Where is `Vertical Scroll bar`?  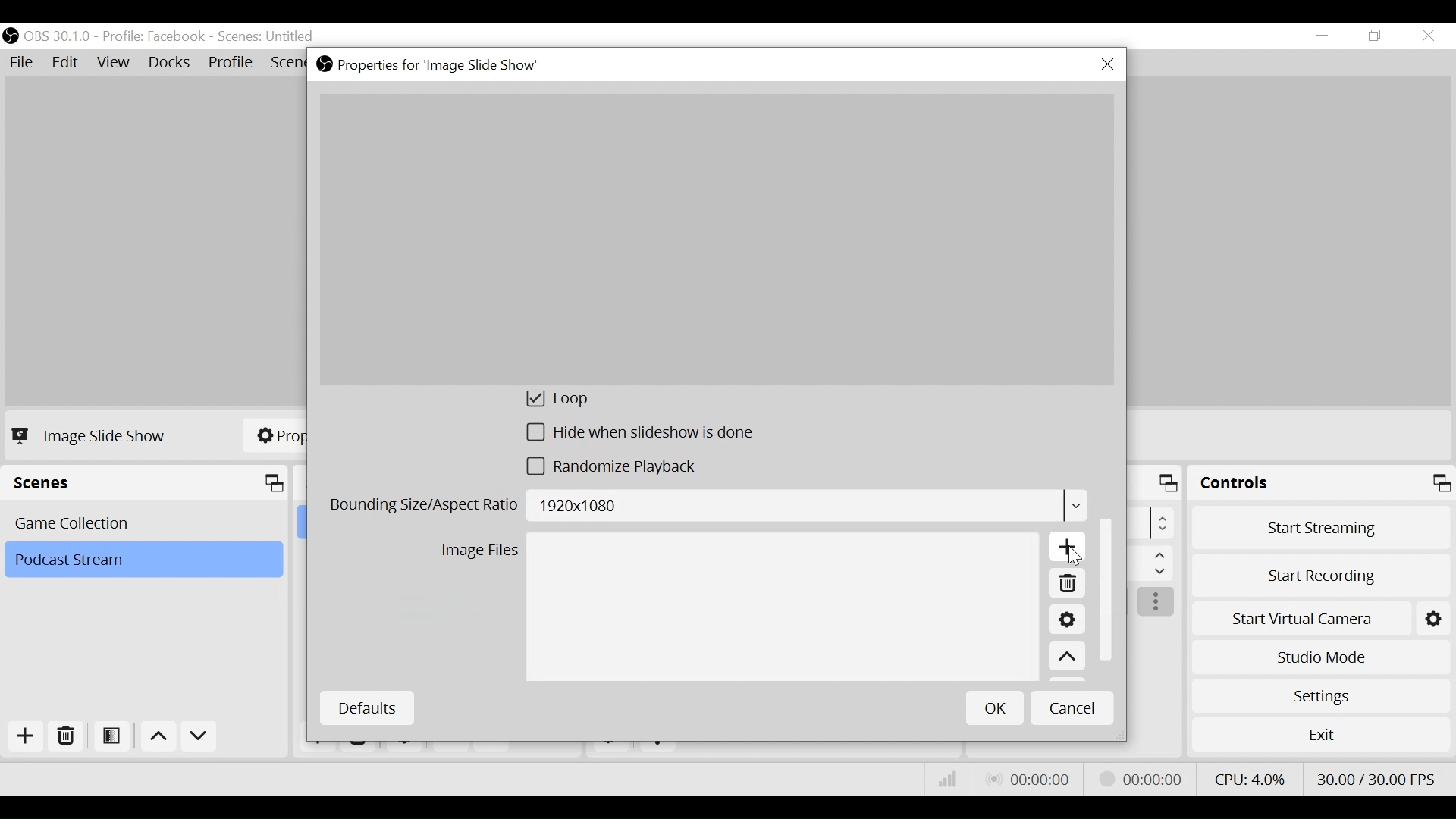 Vertical Scroll bar is located at coordinates (1109, 587).